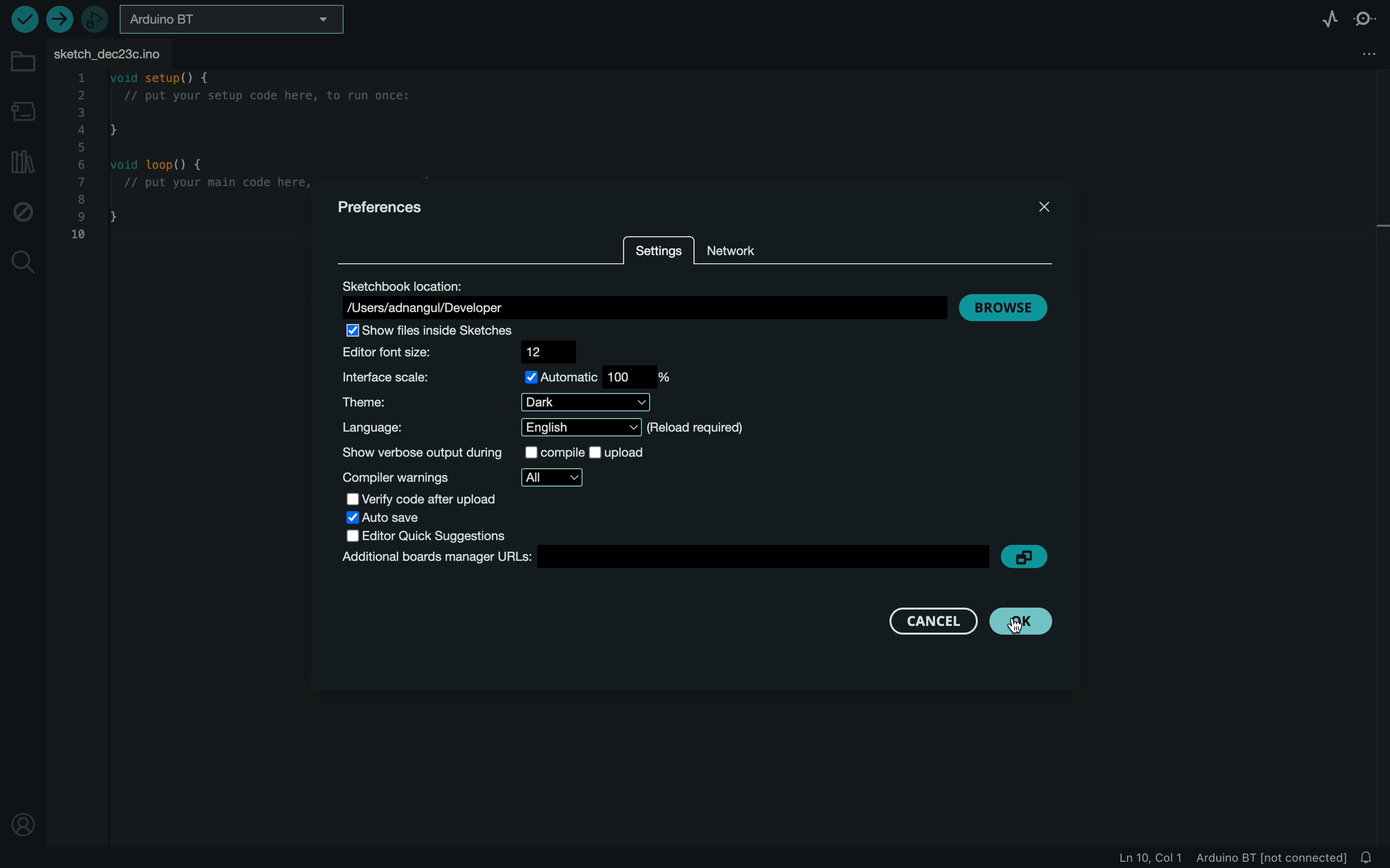  I want to click on copy, so click(1027, 557).